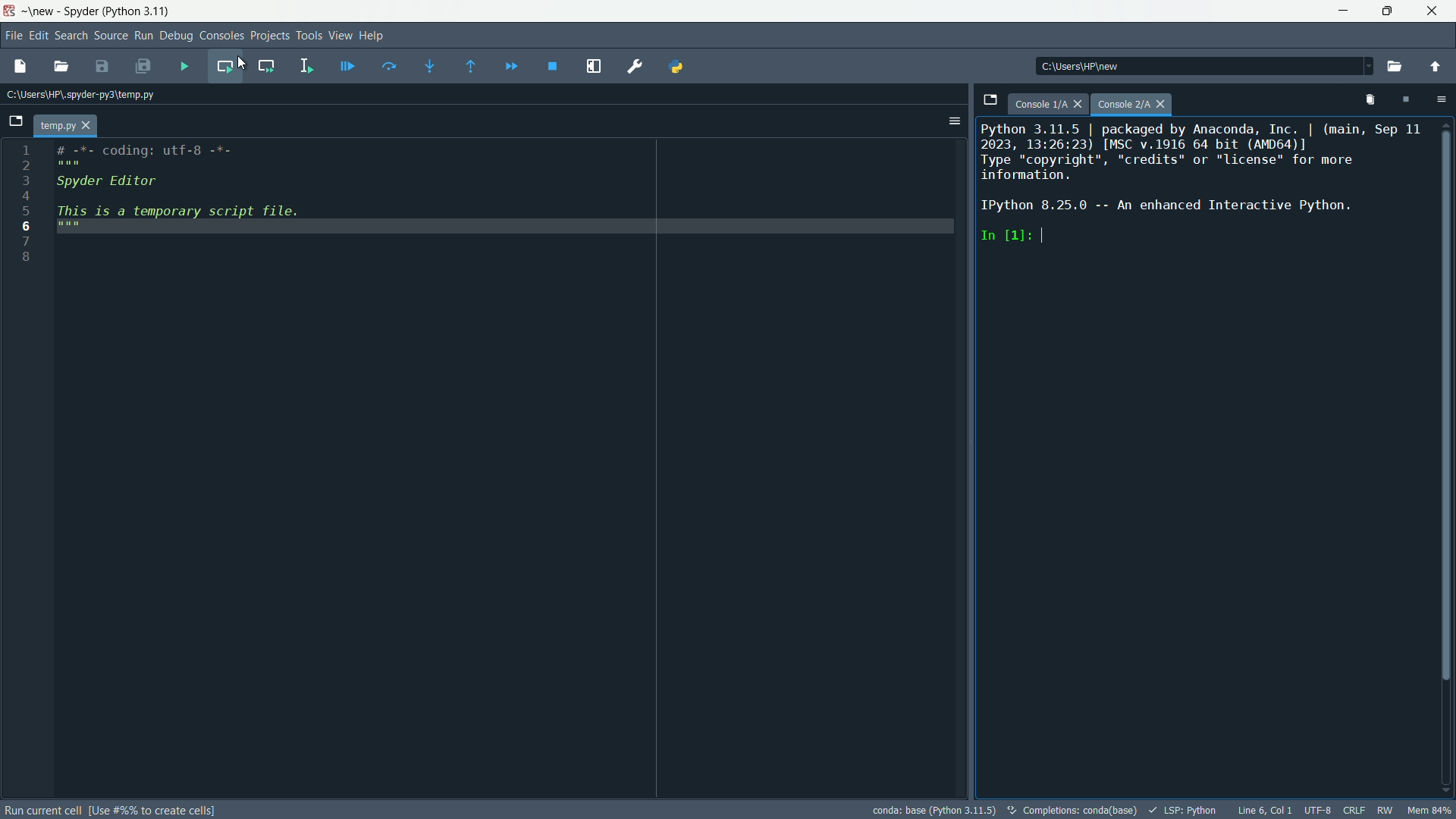 This screenshot has width=1456, height=819. Describe the element at coordinates (176, 36) in the screenshot. I see `debug ` at that location.